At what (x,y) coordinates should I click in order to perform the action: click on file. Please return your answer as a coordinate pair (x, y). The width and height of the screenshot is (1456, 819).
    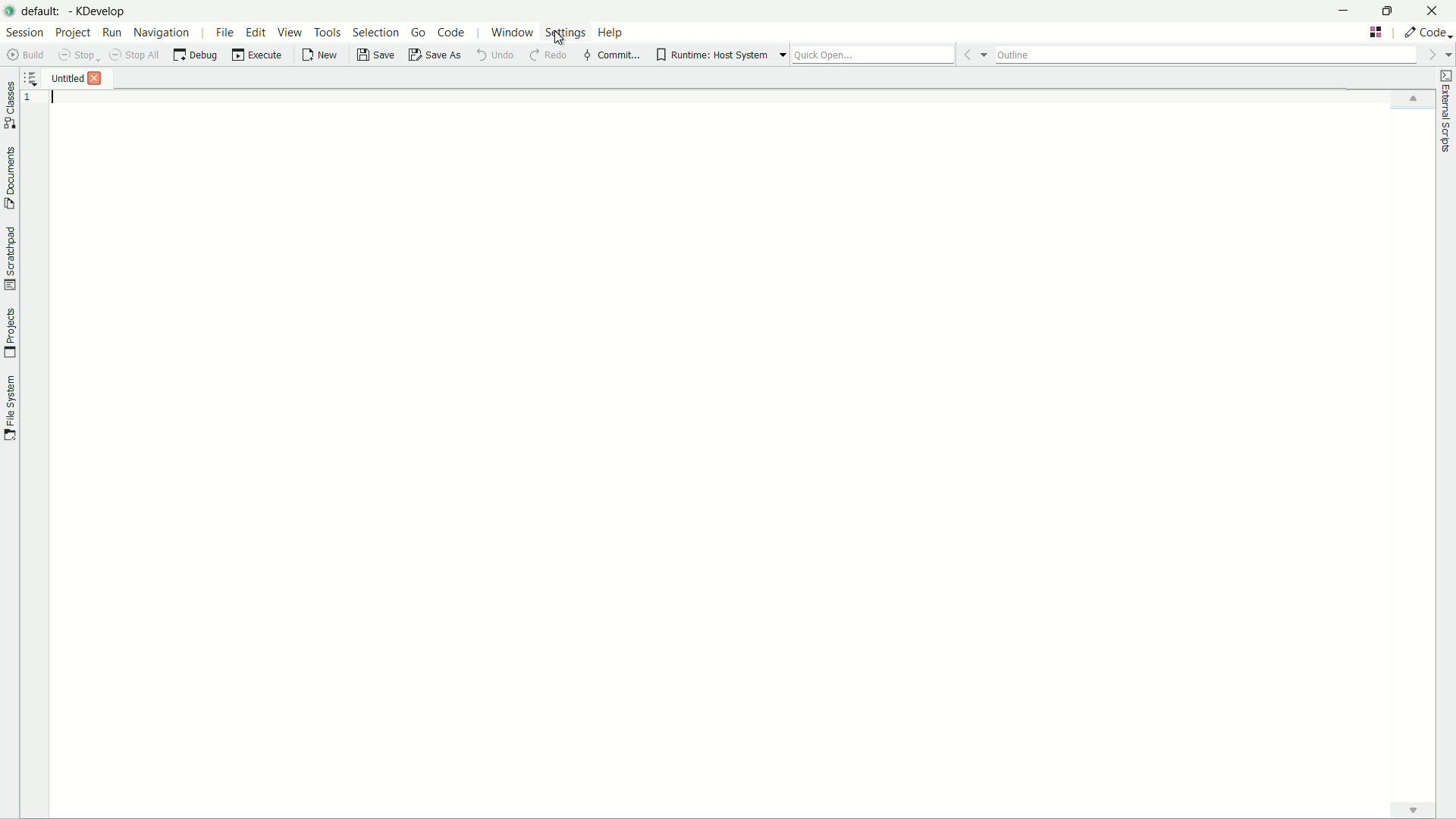
    Looking at the image, I should click on (226, 33).